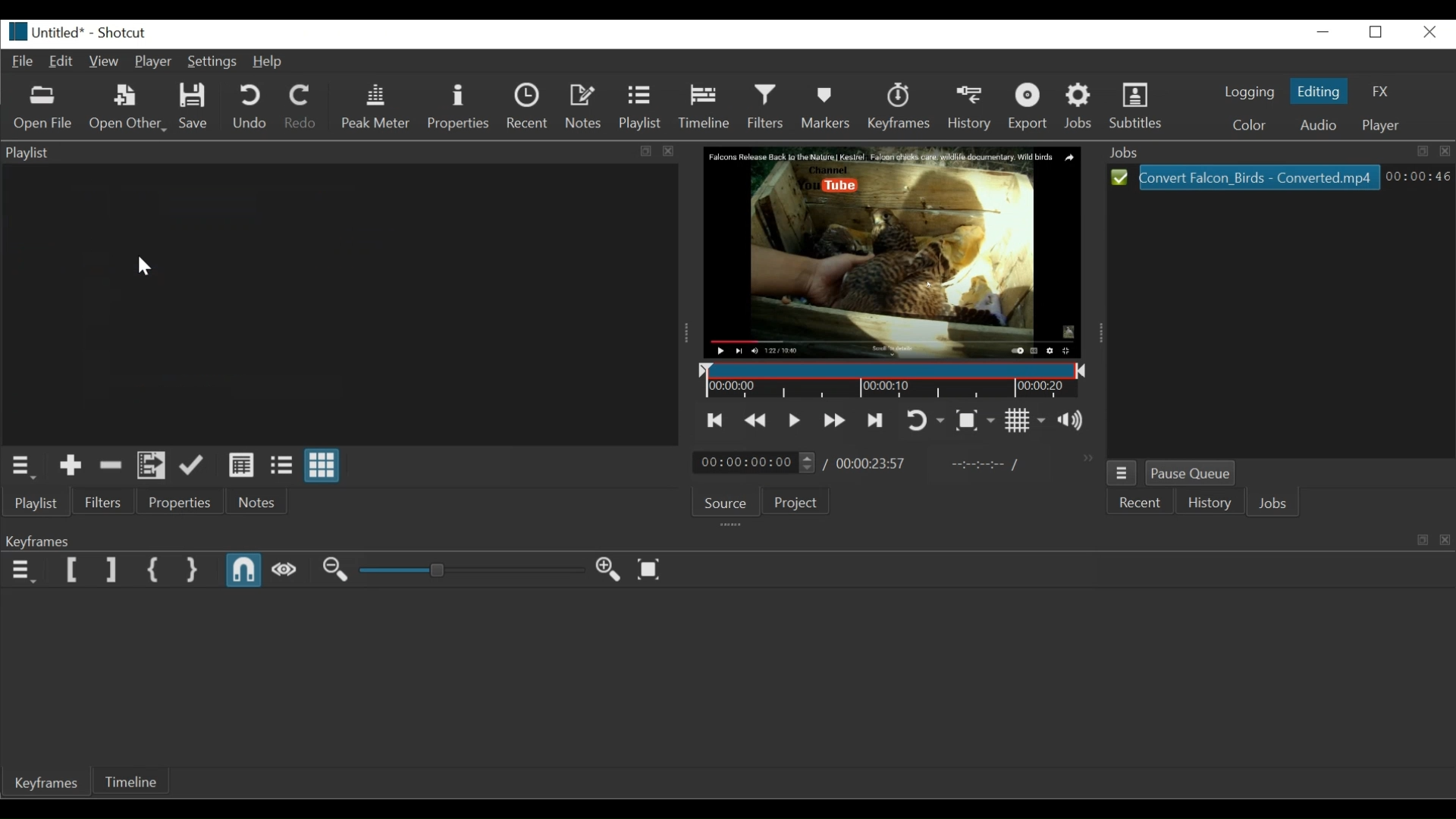 The height and width of the screenshot is (819, 1456). Describe the element at coordinates (181, 503) in the screenshot. I see `Properties` at that location.